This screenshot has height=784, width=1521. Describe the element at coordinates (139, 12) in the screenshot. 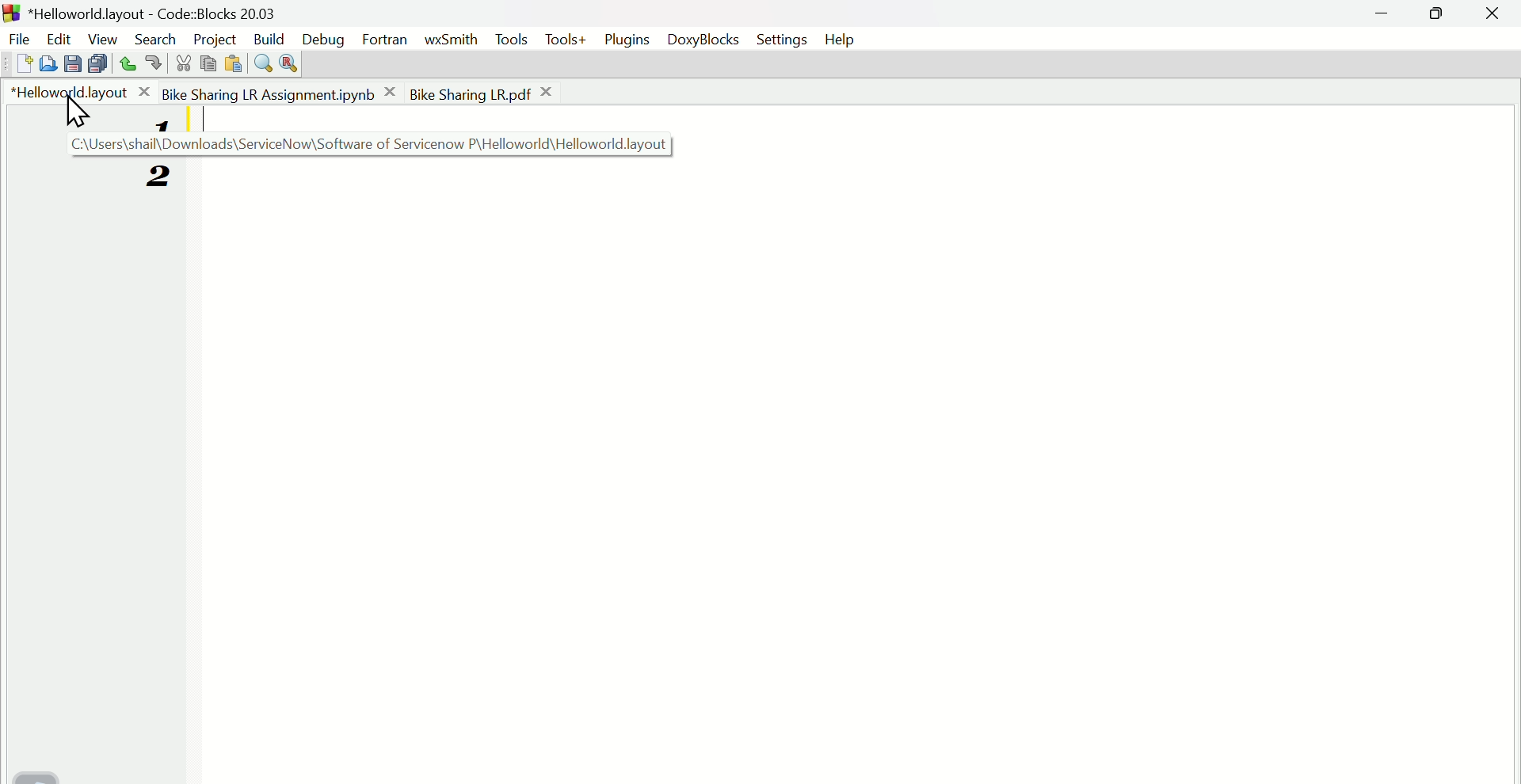

I see `*Helloworld.layout - Code:Blocks 20.03 logo` at that location.